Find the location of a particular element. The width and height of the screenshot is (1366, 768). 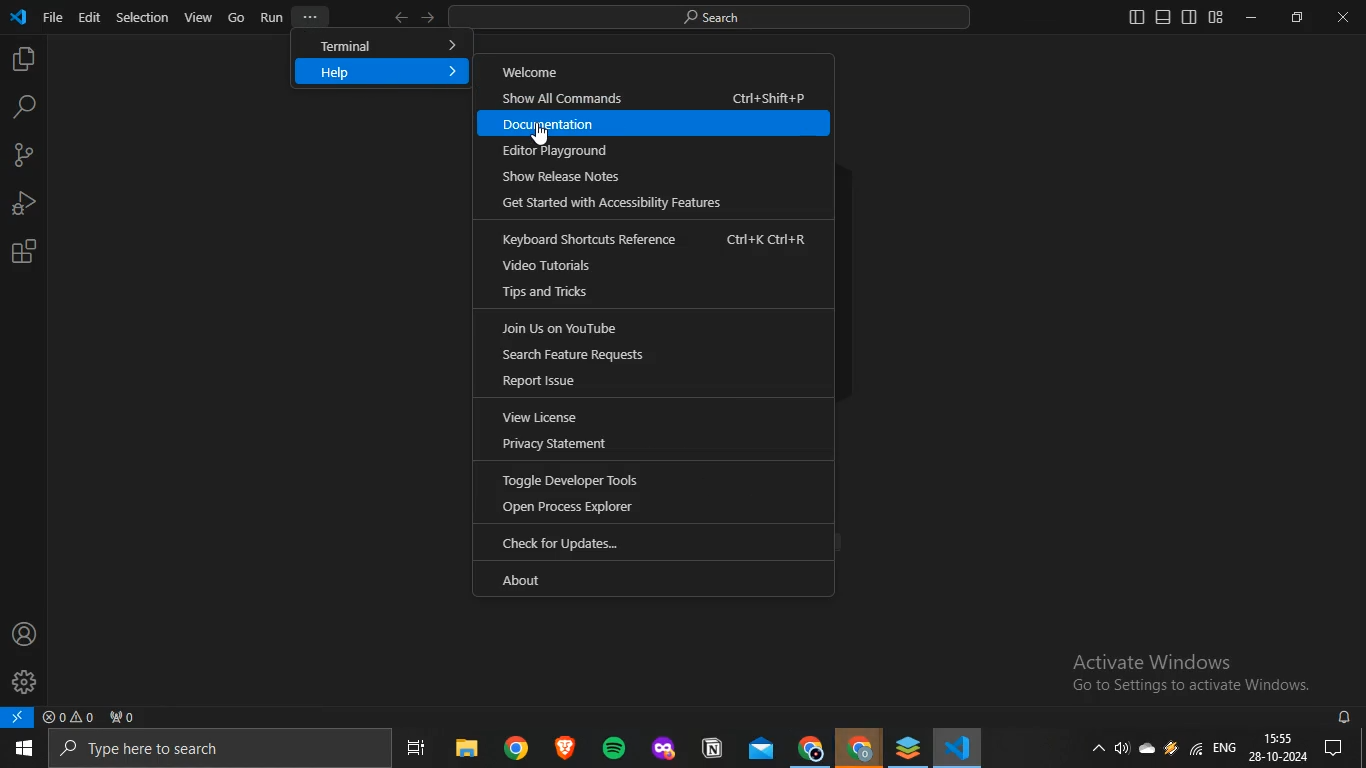

Join Us on YouTube is located at coordinates (649, 329).